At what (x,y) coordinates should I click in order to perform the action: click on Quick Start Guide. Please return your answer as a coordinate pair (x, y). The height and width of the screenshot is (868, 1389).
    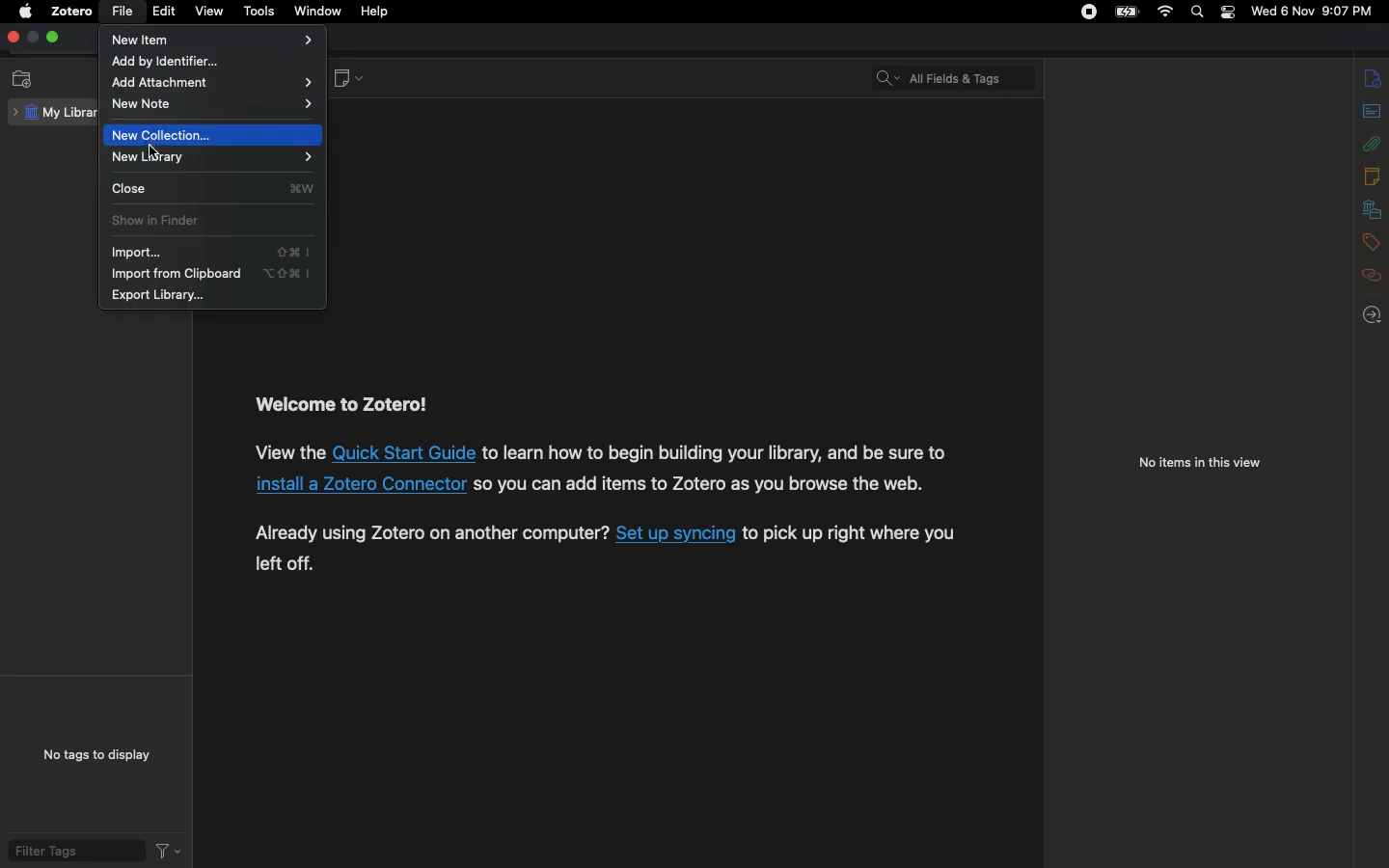
    Looking at the image, I should click on (404, 452).